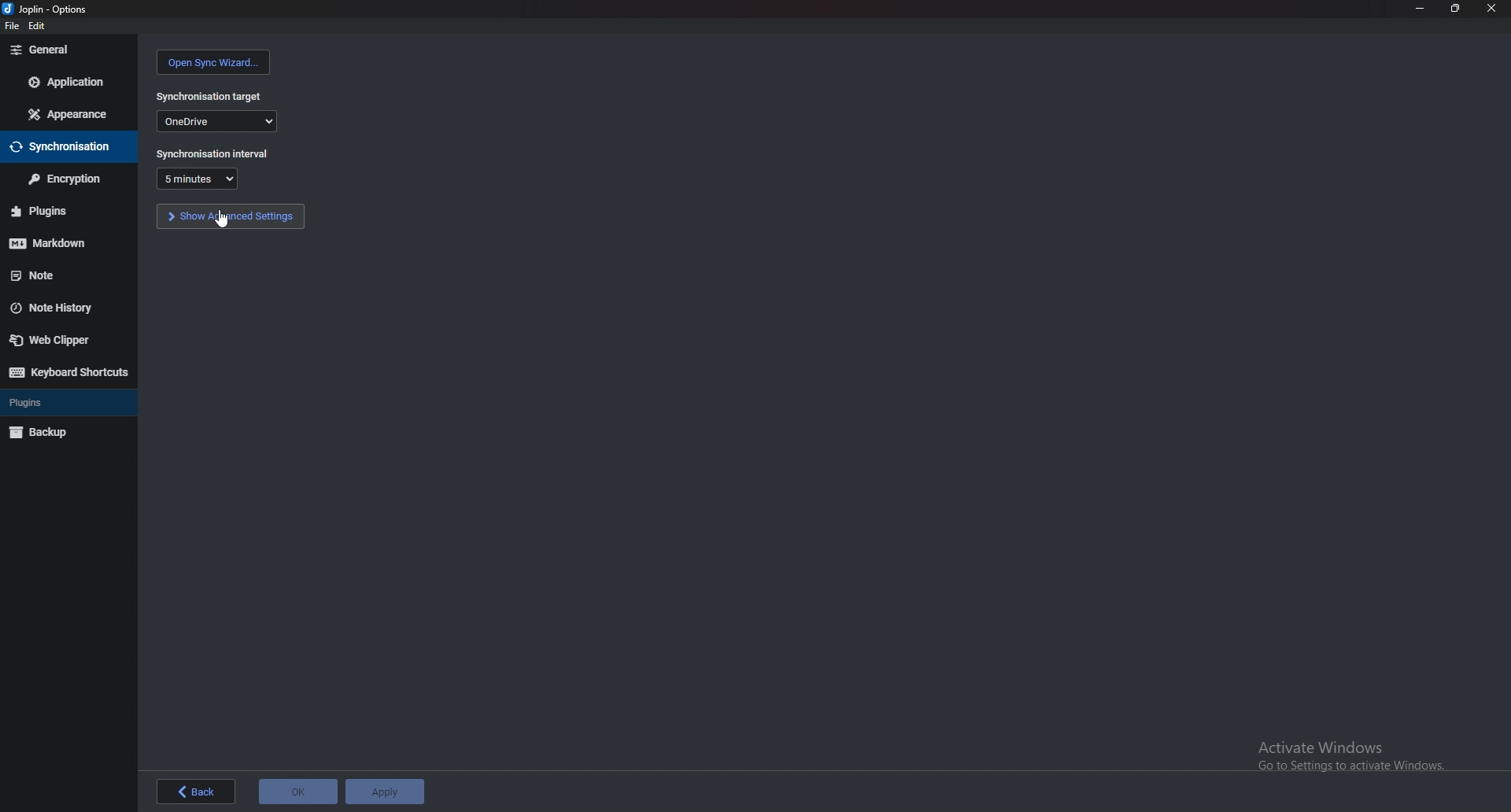  I want to click on cursor, so click(219, 217).